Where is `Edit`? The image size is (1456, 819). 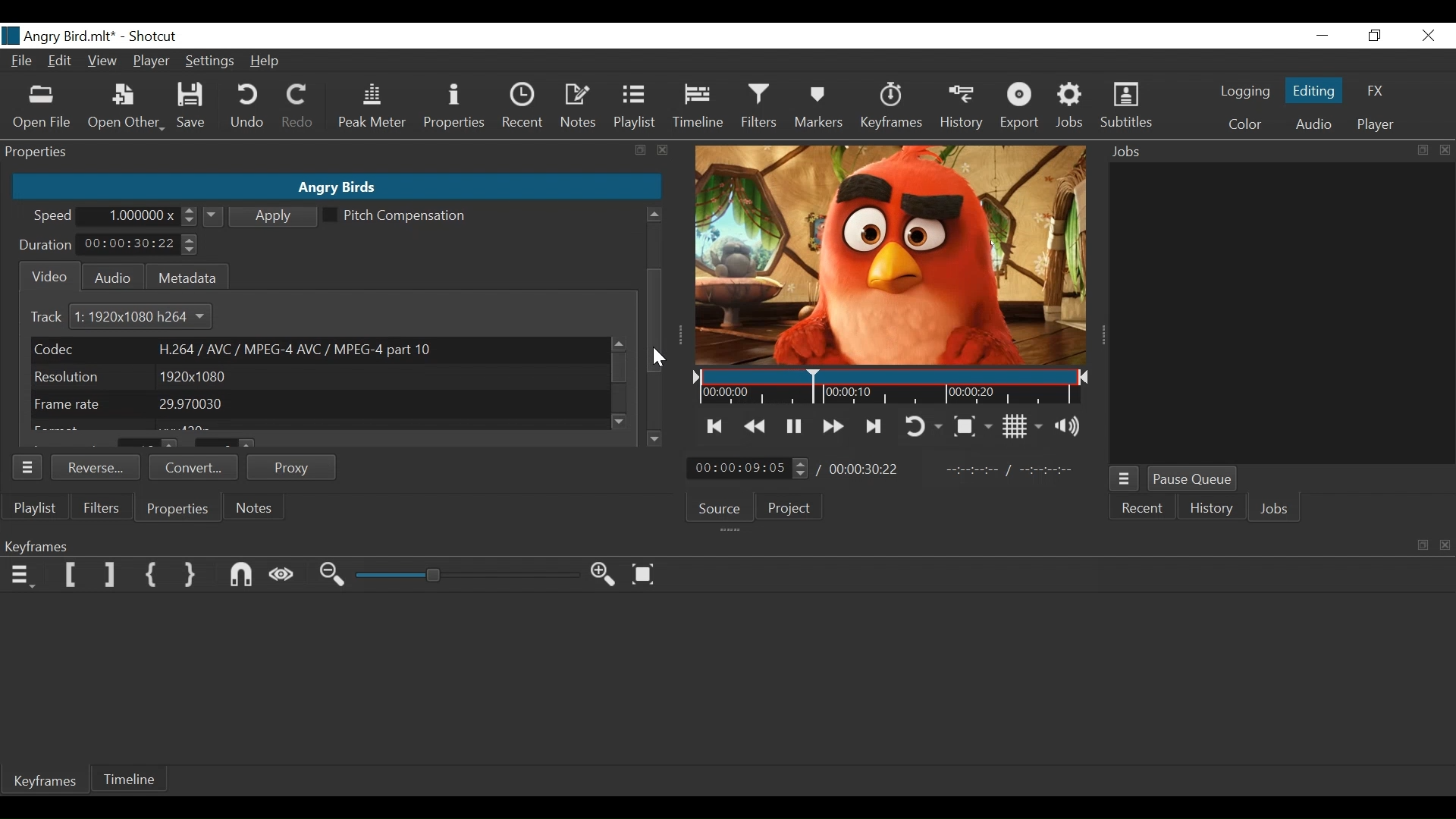 Edit is located at coordinates (60, 62).